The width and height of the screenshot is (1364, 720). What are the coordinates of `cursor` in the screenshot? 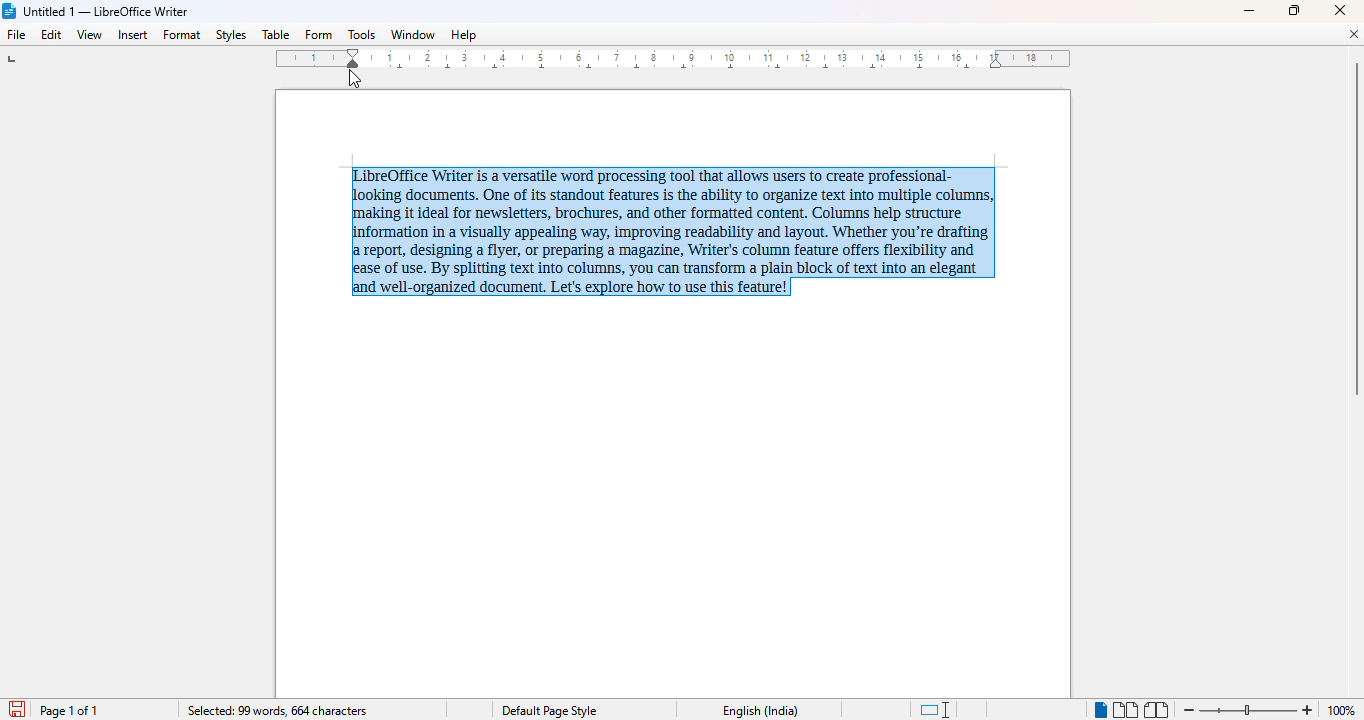 It's located at (355, 79).